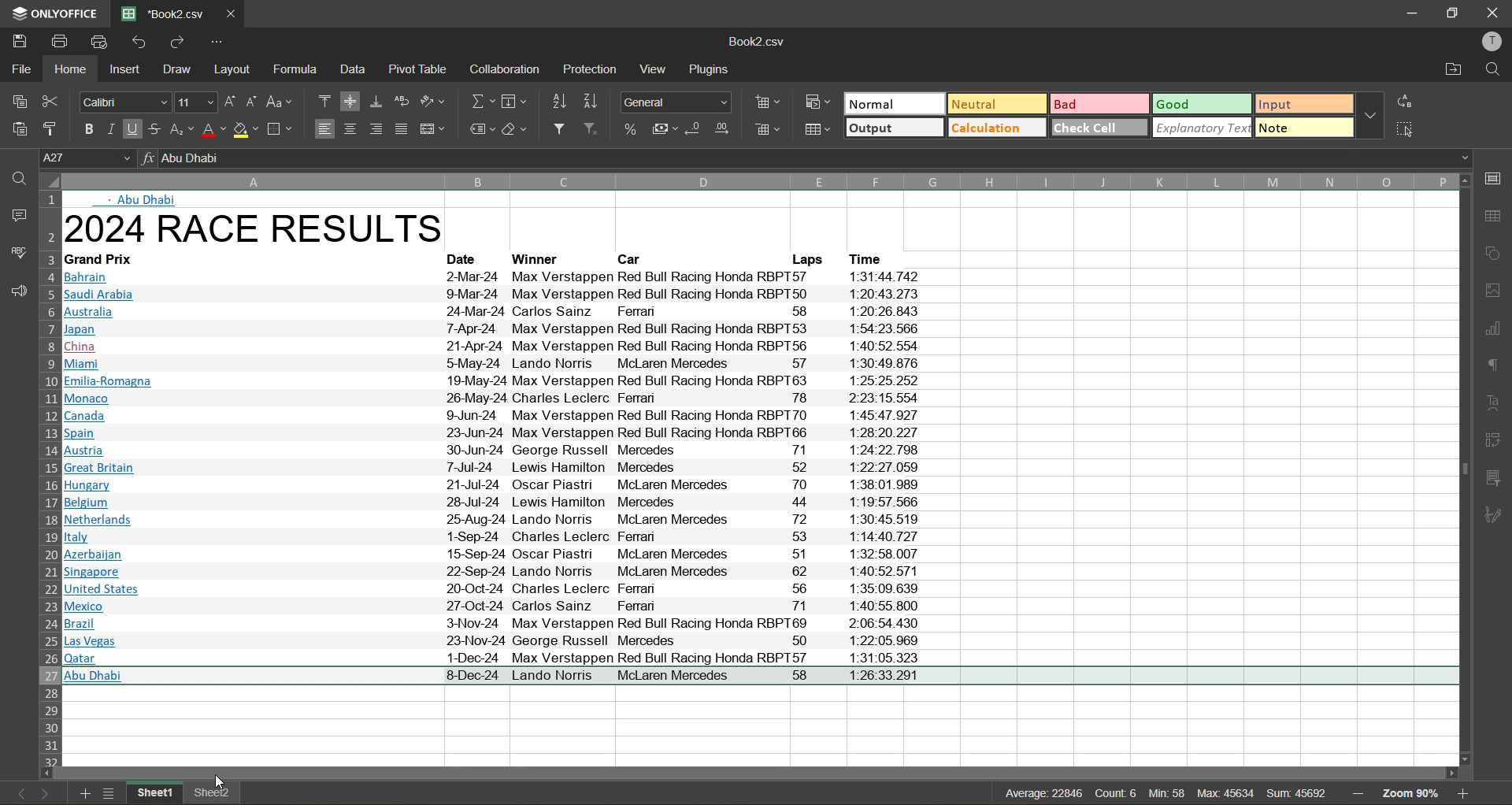 The height and width of the screenshot is (805, 1512). I want to click on collaboration, so click(506, 69).